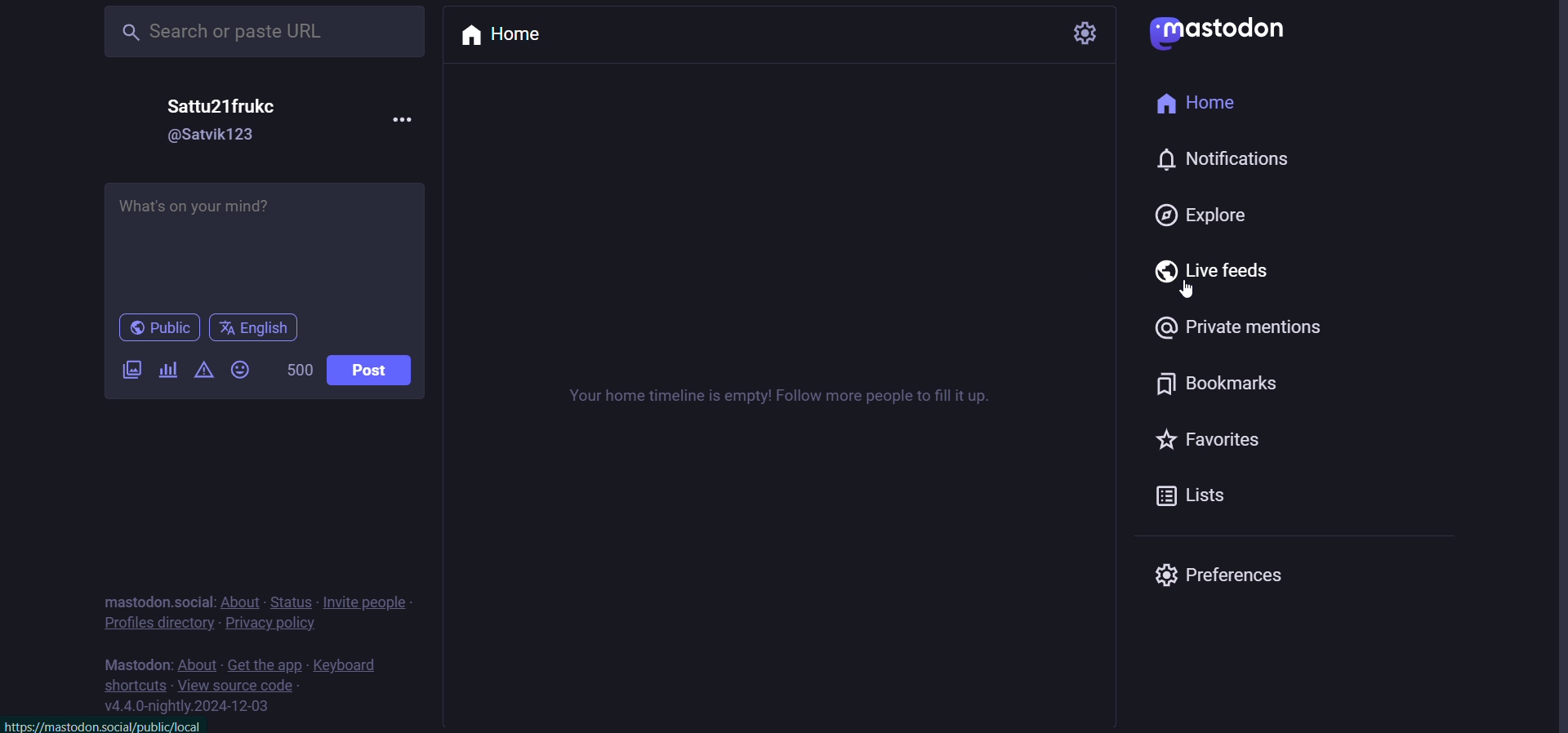 This screenshot has height=733, width=1568. I want to click on lists, so click(1199, 495).